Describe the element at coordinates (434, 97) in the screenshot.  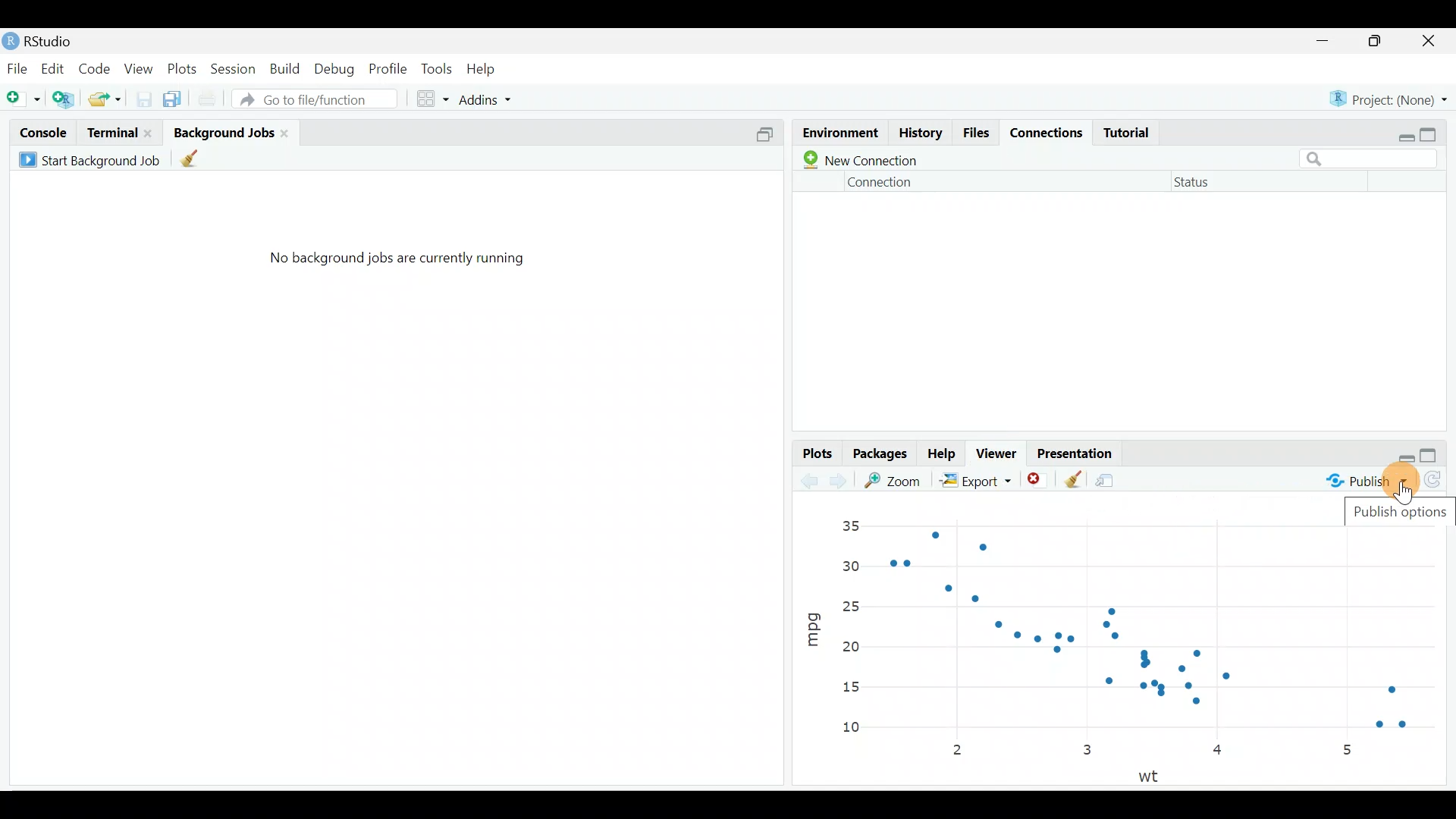
I see `Workspace panes` at that location.